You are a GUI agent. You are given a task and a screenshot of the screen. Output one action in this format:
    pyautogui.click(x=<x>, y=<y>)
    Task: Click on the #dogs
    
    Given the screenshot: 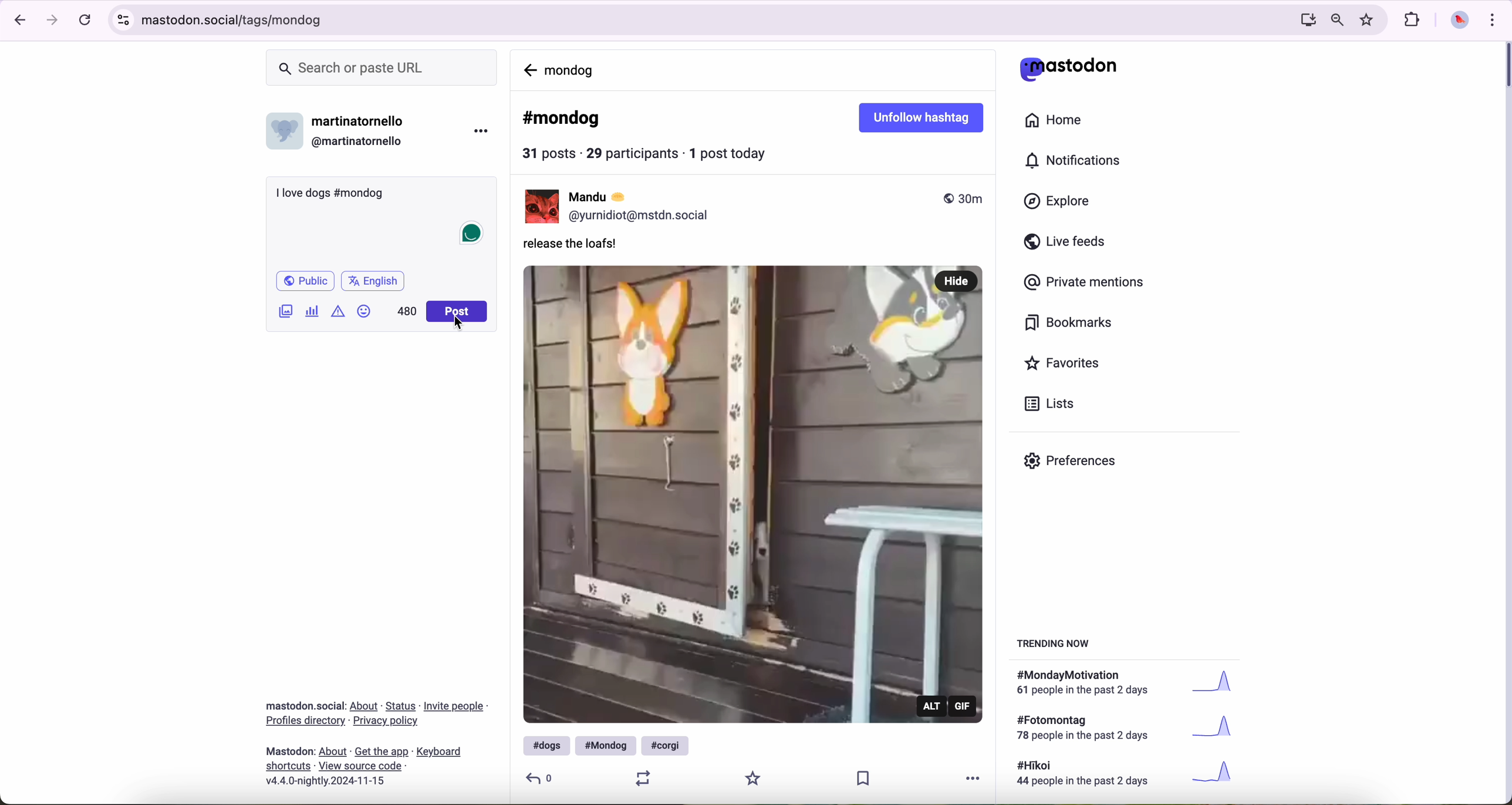 What is the action you would take?
    pyautogui.click(x=544, y=745)
    